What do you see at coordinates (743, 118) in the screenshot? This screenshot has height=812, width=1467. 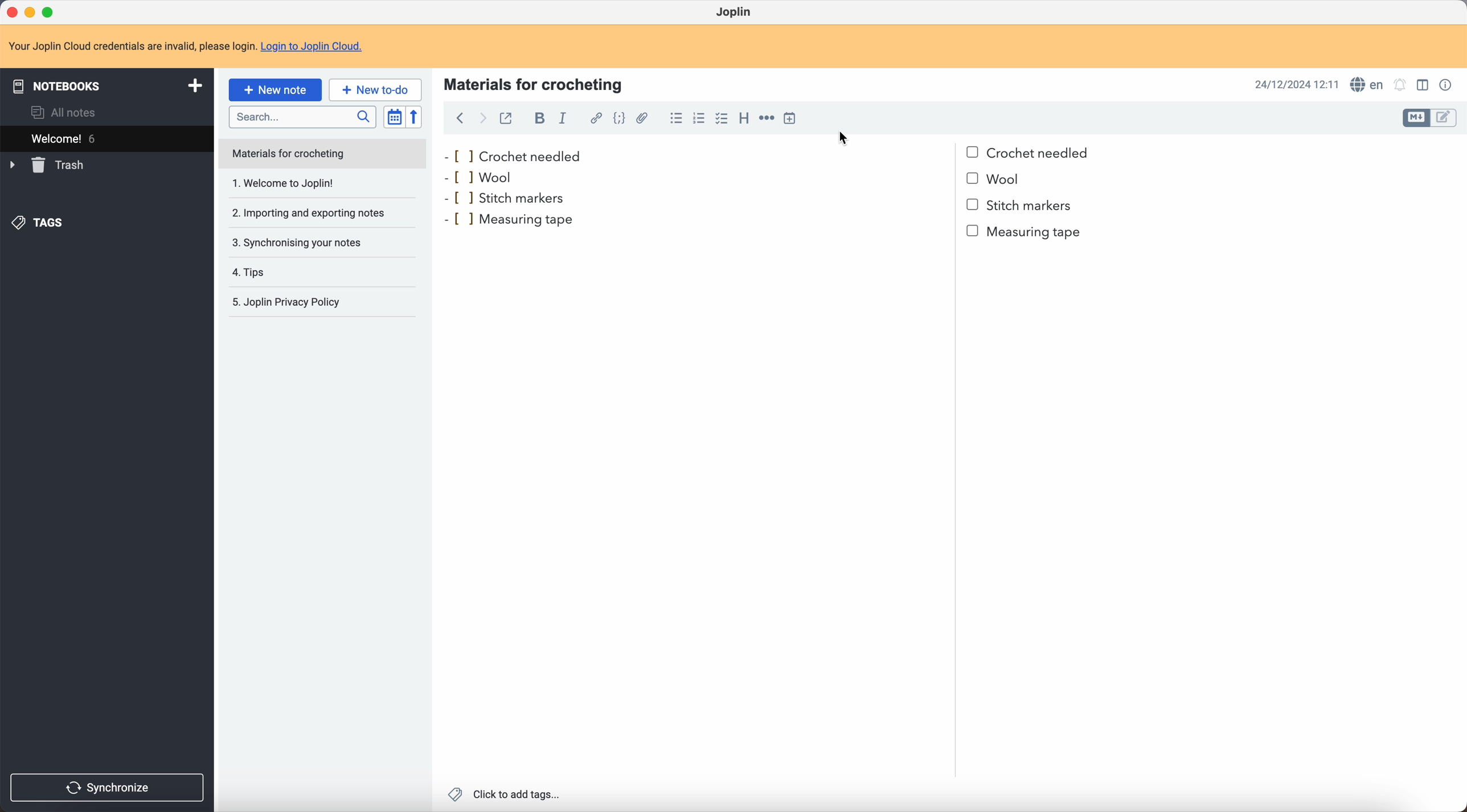 I see `heading` at bounding box center [743, 118].